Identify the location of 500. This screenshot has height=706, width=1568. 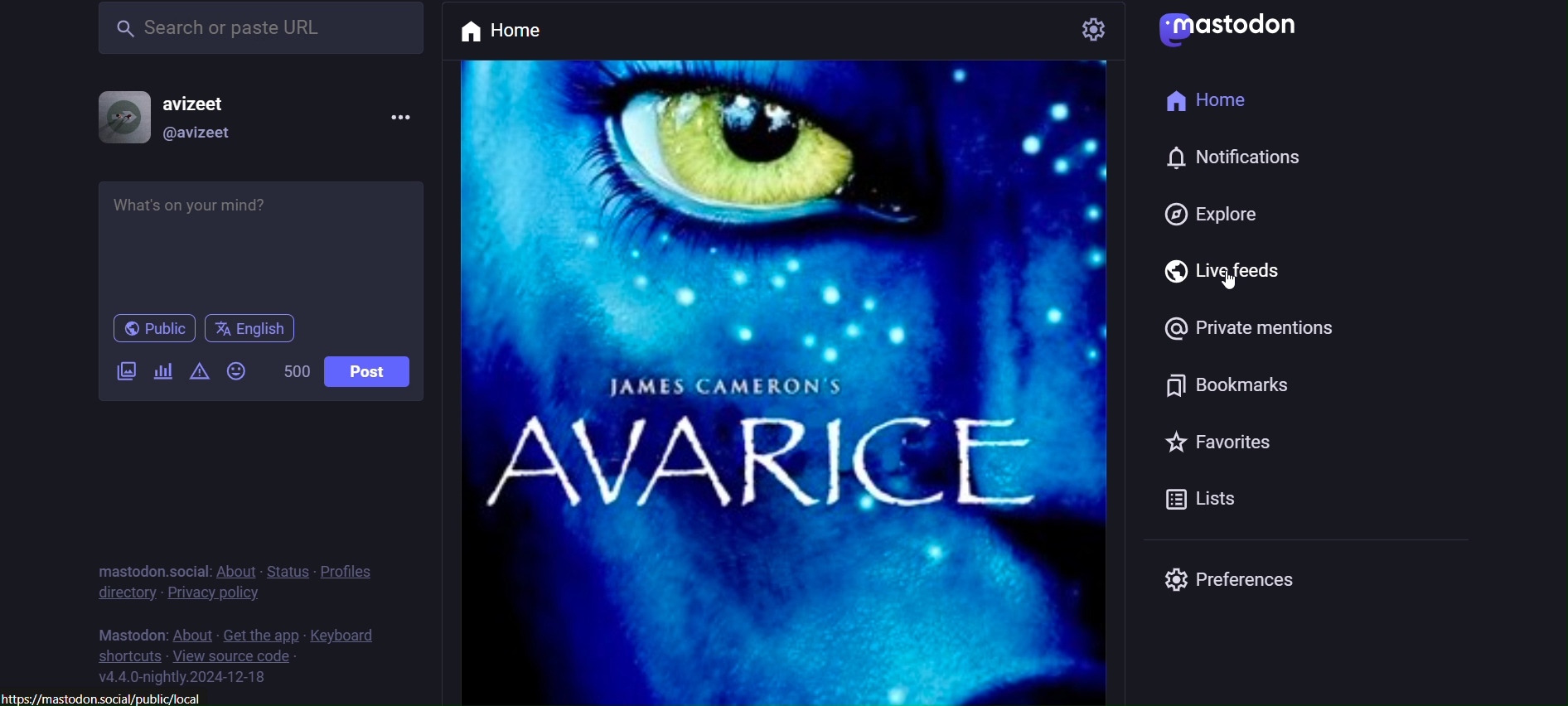
(295, 373).